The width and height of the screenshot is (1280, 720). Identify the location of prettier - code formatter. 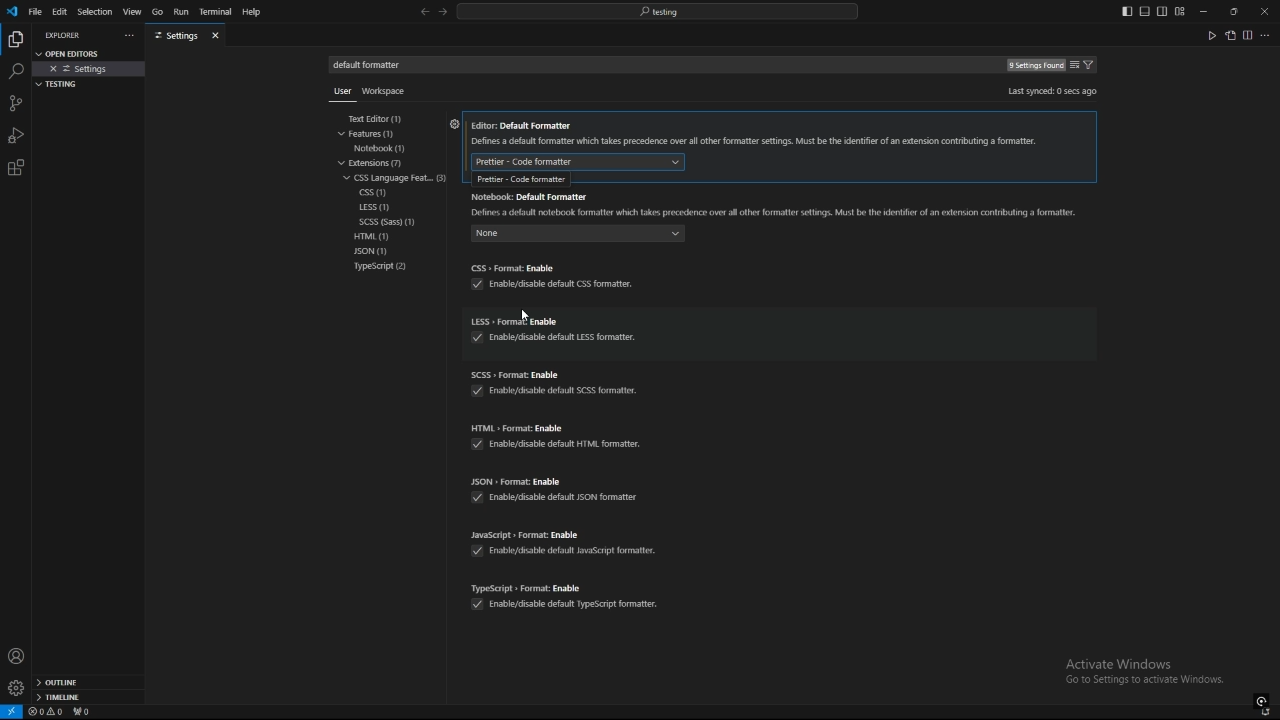
(516, 179).